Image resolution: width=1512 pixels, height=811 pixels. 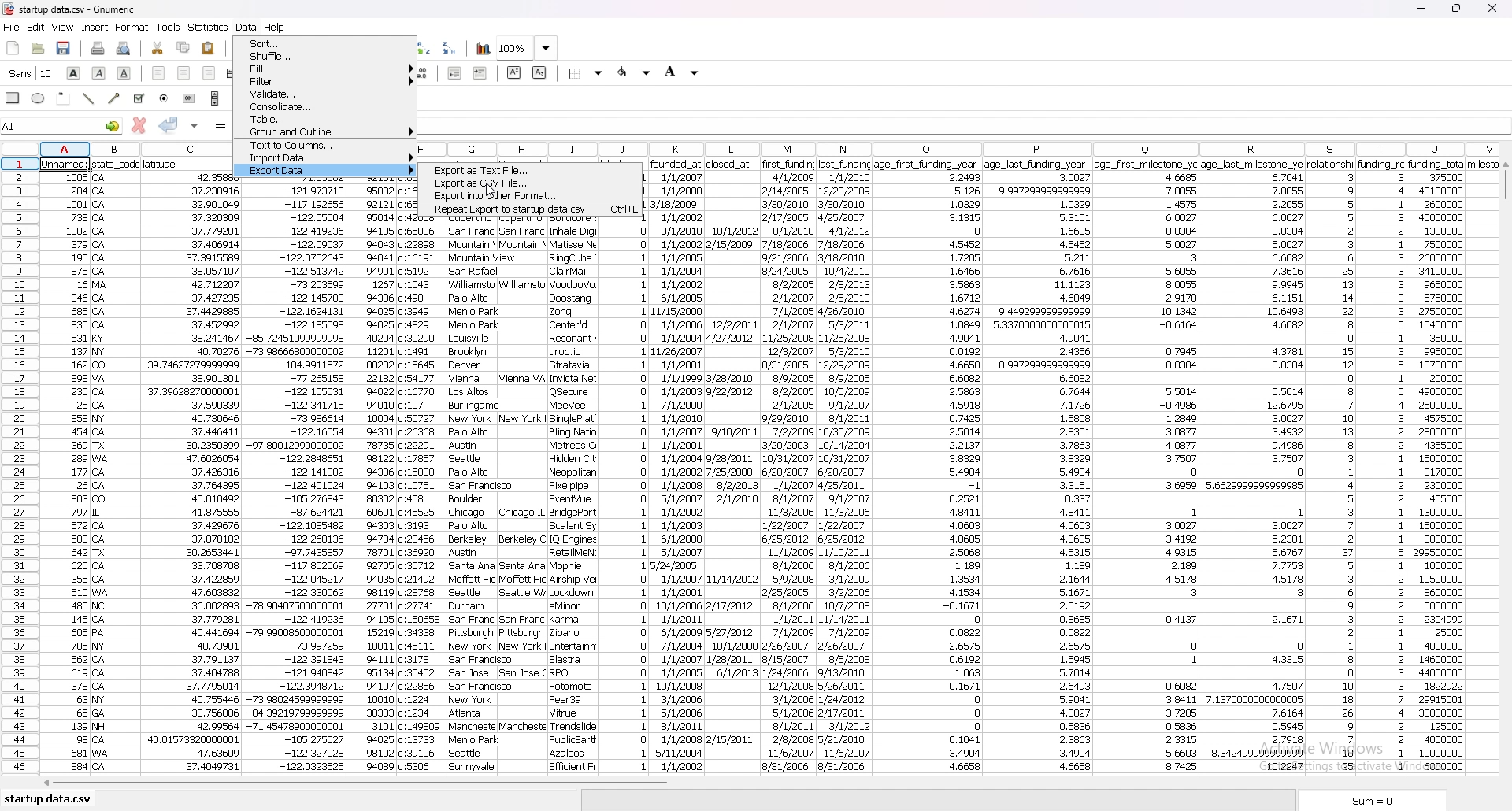 I want to click on edit, so click(x=36, y=28).